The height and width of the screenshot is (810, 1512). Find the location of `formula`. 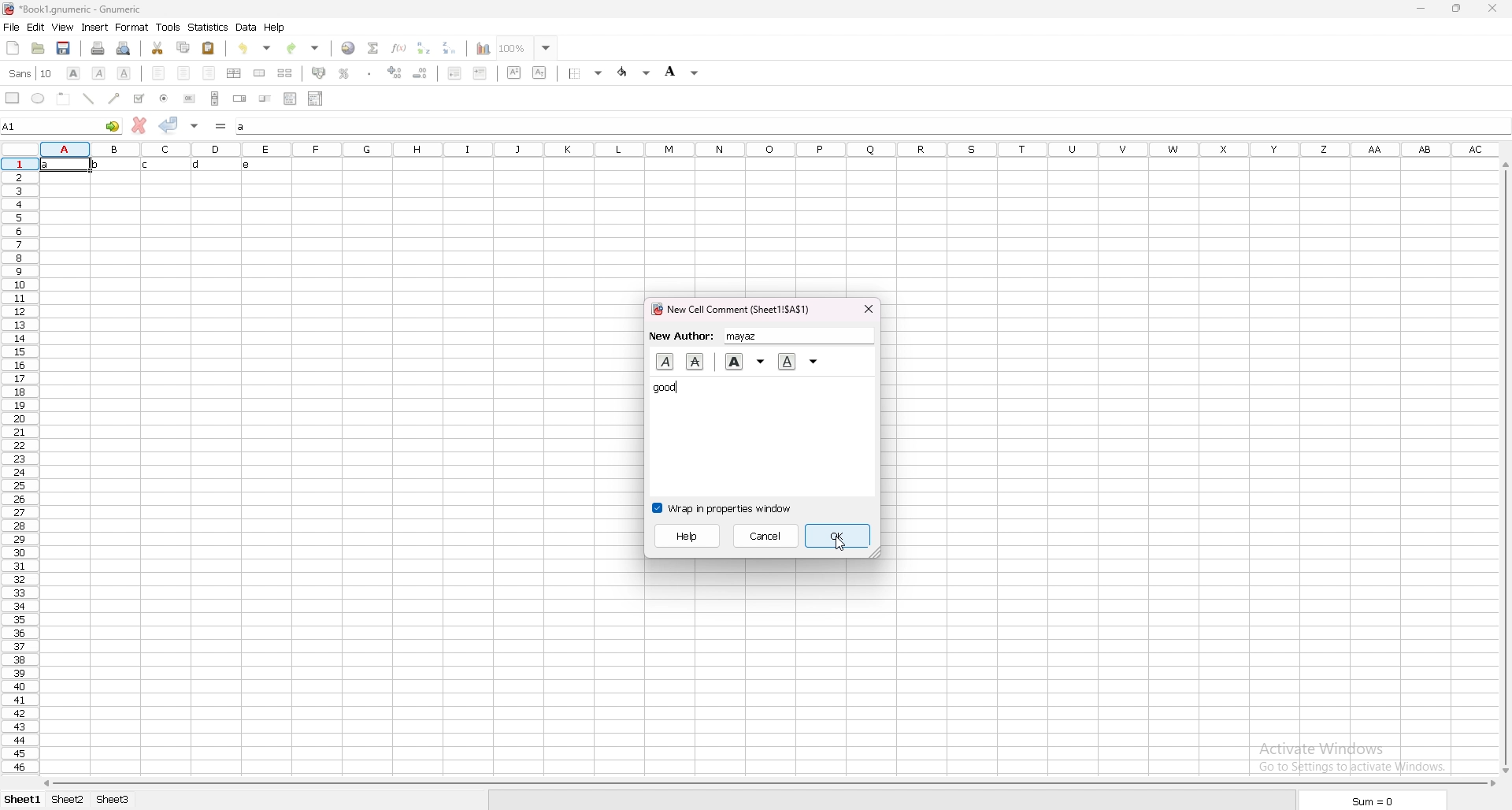

formula is located at coordinates (221, 126).